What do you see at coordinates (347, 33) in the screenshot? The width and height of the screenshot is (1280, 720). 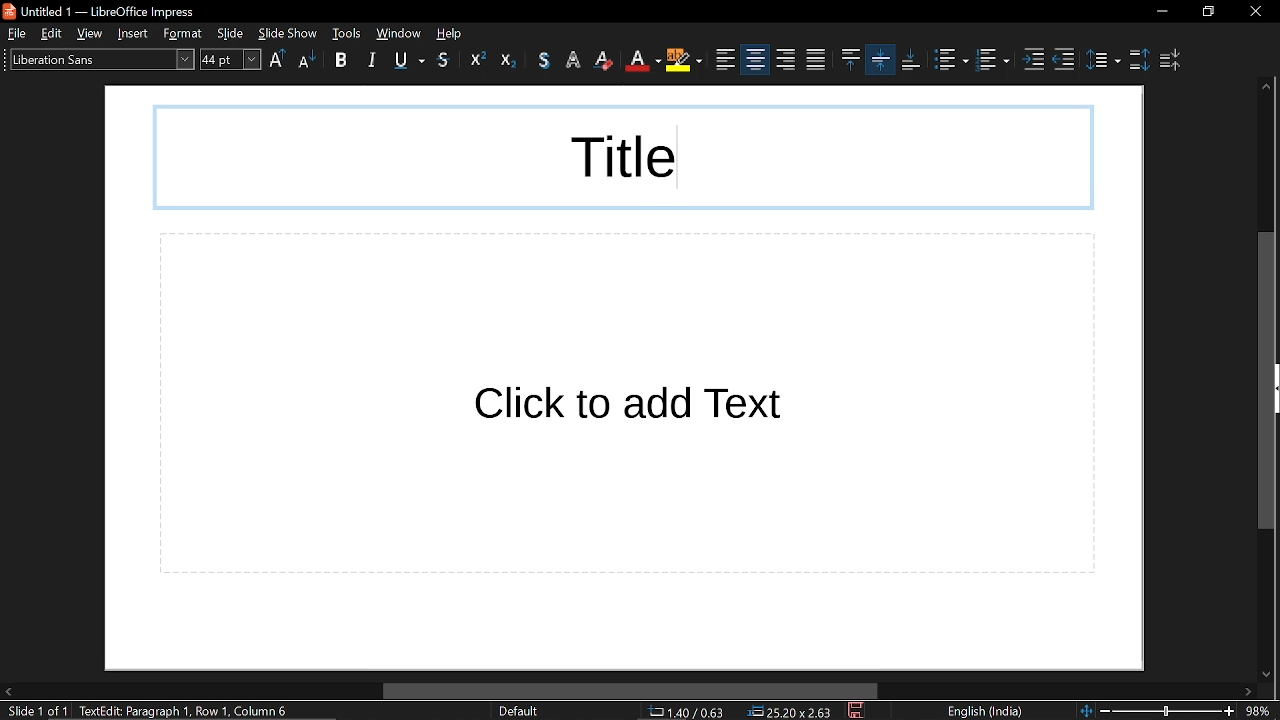 I see `tools` at bounding box center [347, 33].